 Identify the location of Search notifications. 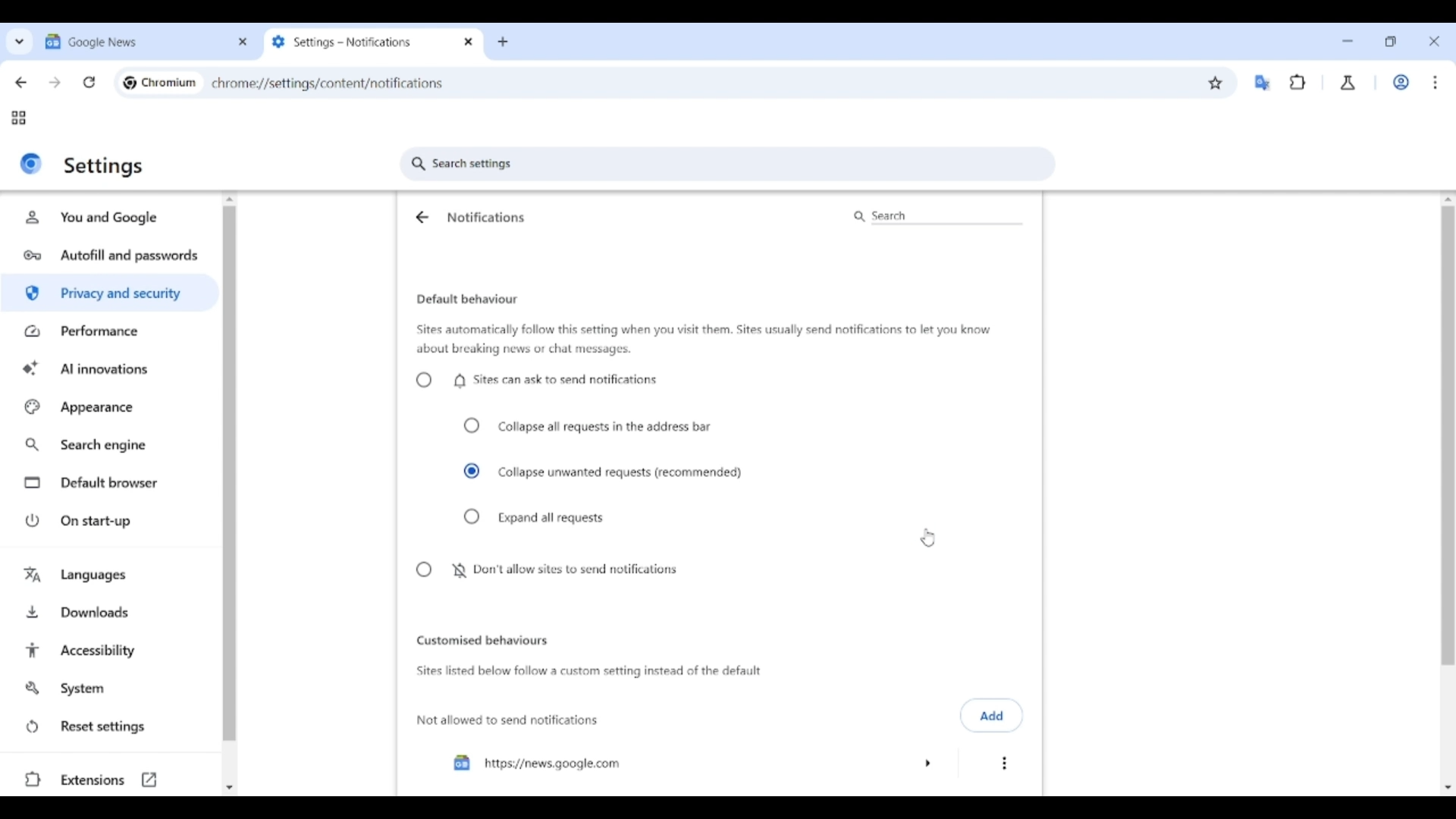
(936, 216).